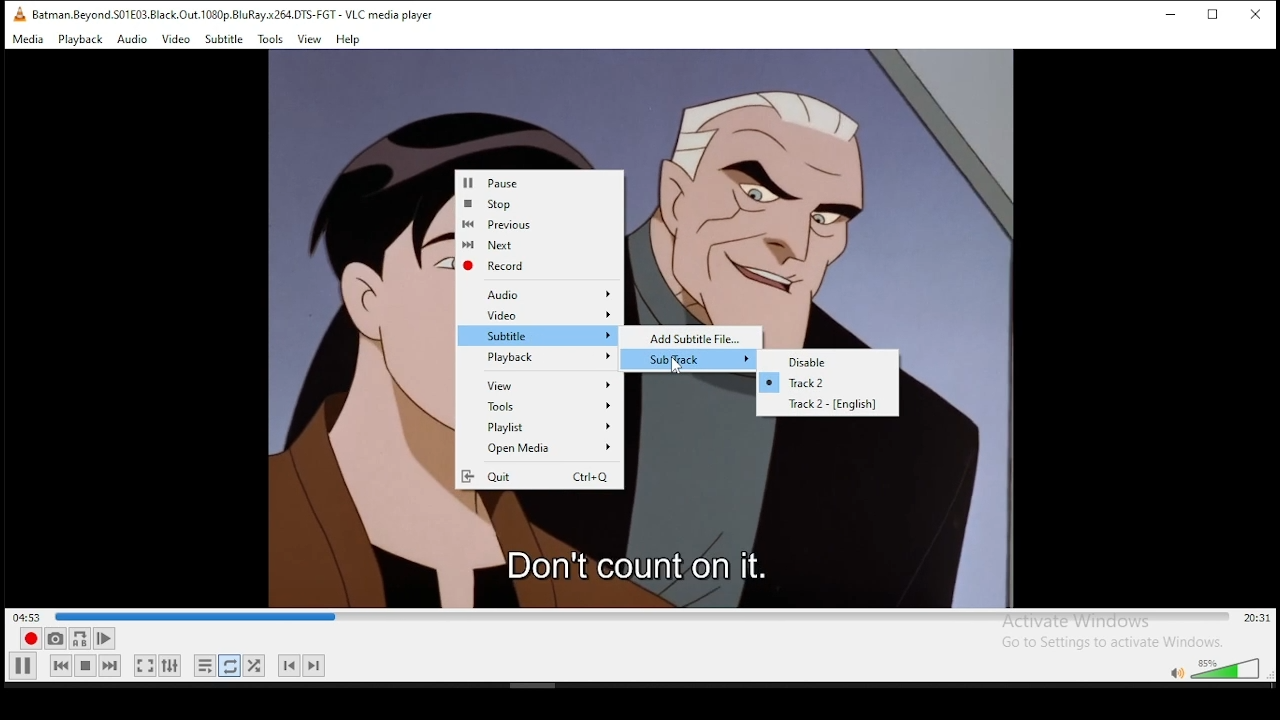 This screenshot has width=1280, height=720. Describe the element at coordinates (538, 449) in the screenshot. I see `‘Open Media ` at that location.